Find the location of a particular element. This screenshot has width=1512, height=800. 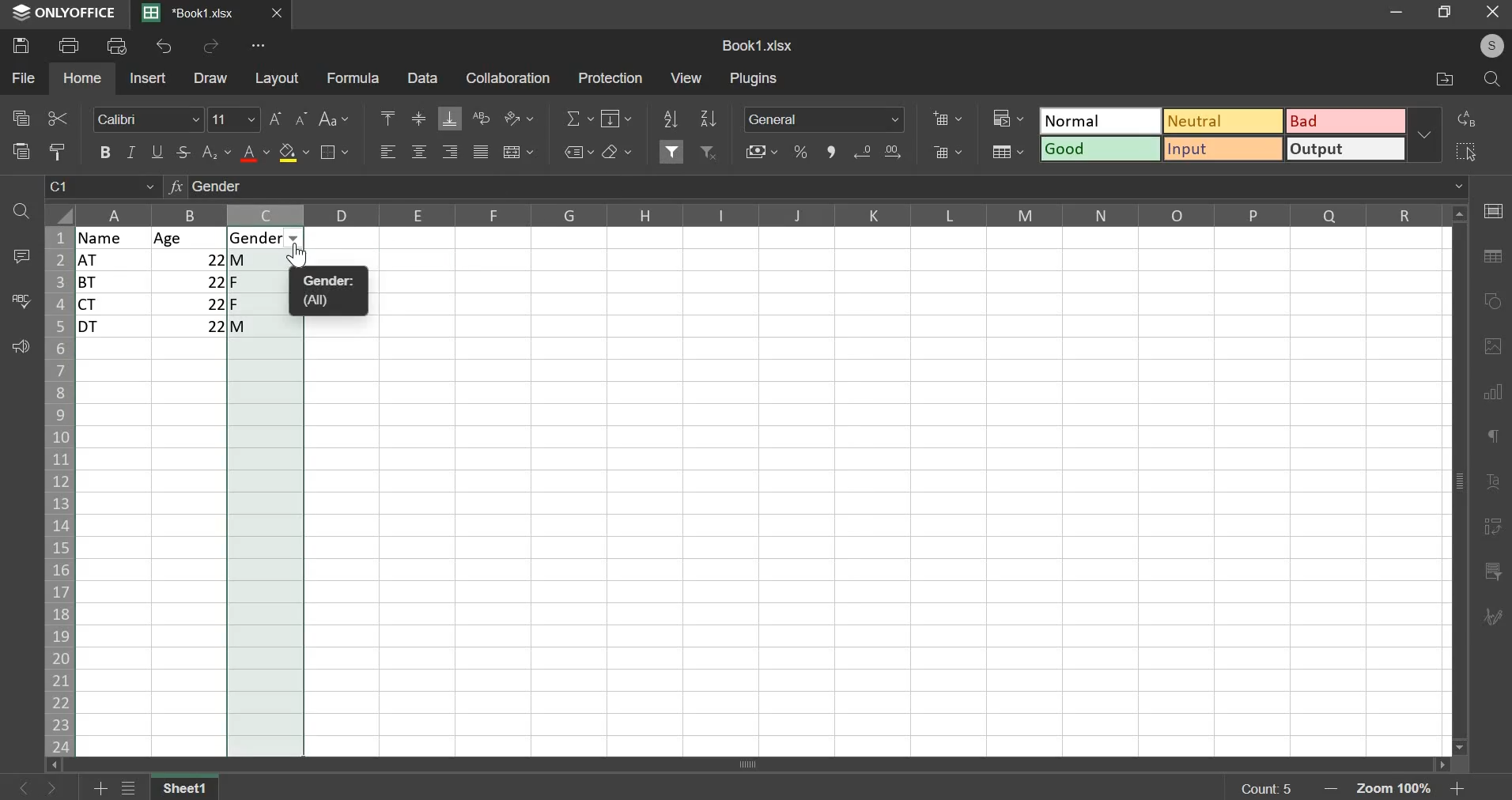

font size increase is located at coordinates (275, 119).